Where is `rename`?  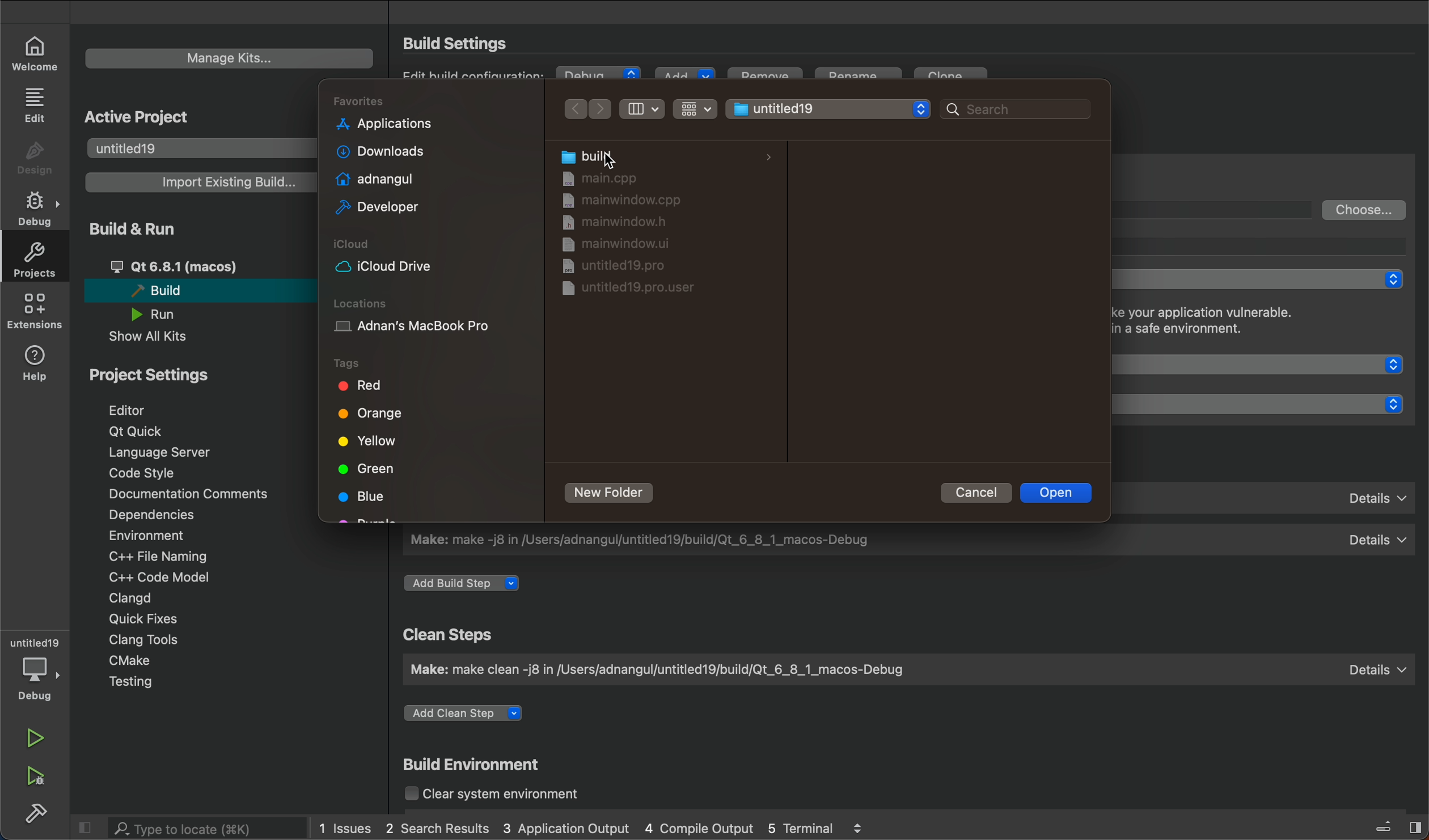
rename is located at coordinates (861, 78).